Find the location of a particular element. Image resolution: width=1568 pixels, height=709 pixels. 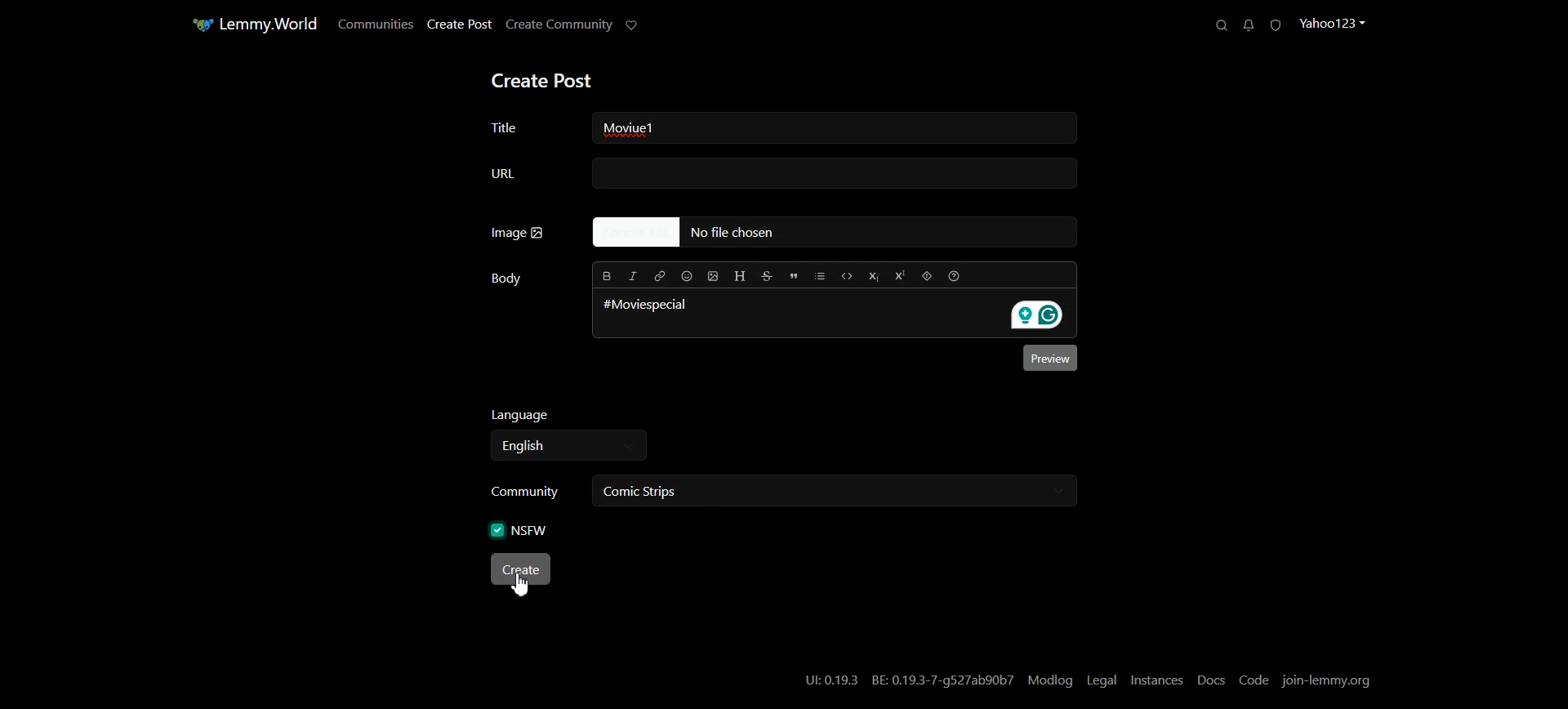

Code is located at coordinates (1255, 680).